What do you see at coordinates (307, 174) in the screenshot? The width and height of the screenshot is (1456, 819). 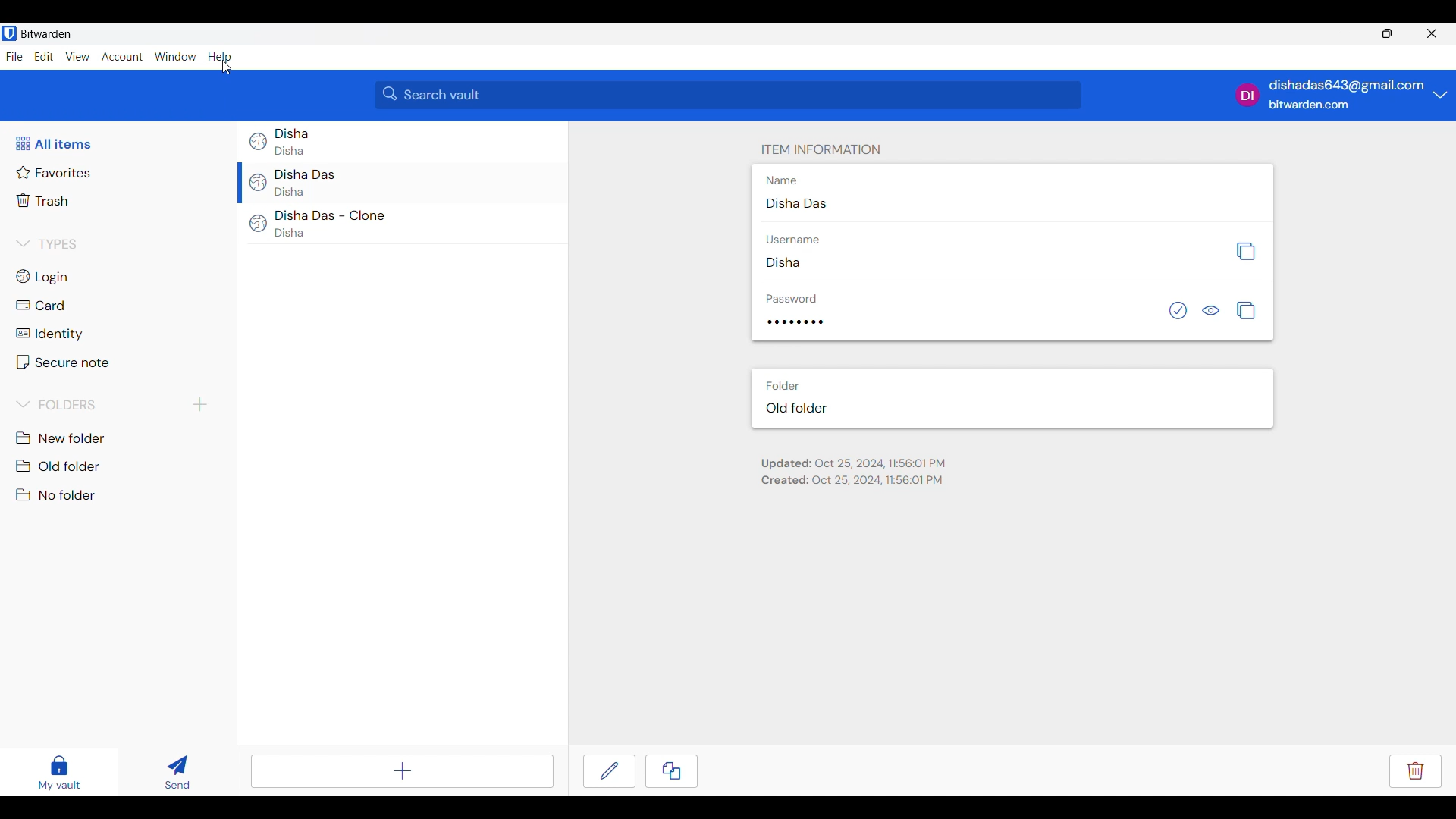 I see `Disha Das - item in the vault` at bounding box center [307, 174].